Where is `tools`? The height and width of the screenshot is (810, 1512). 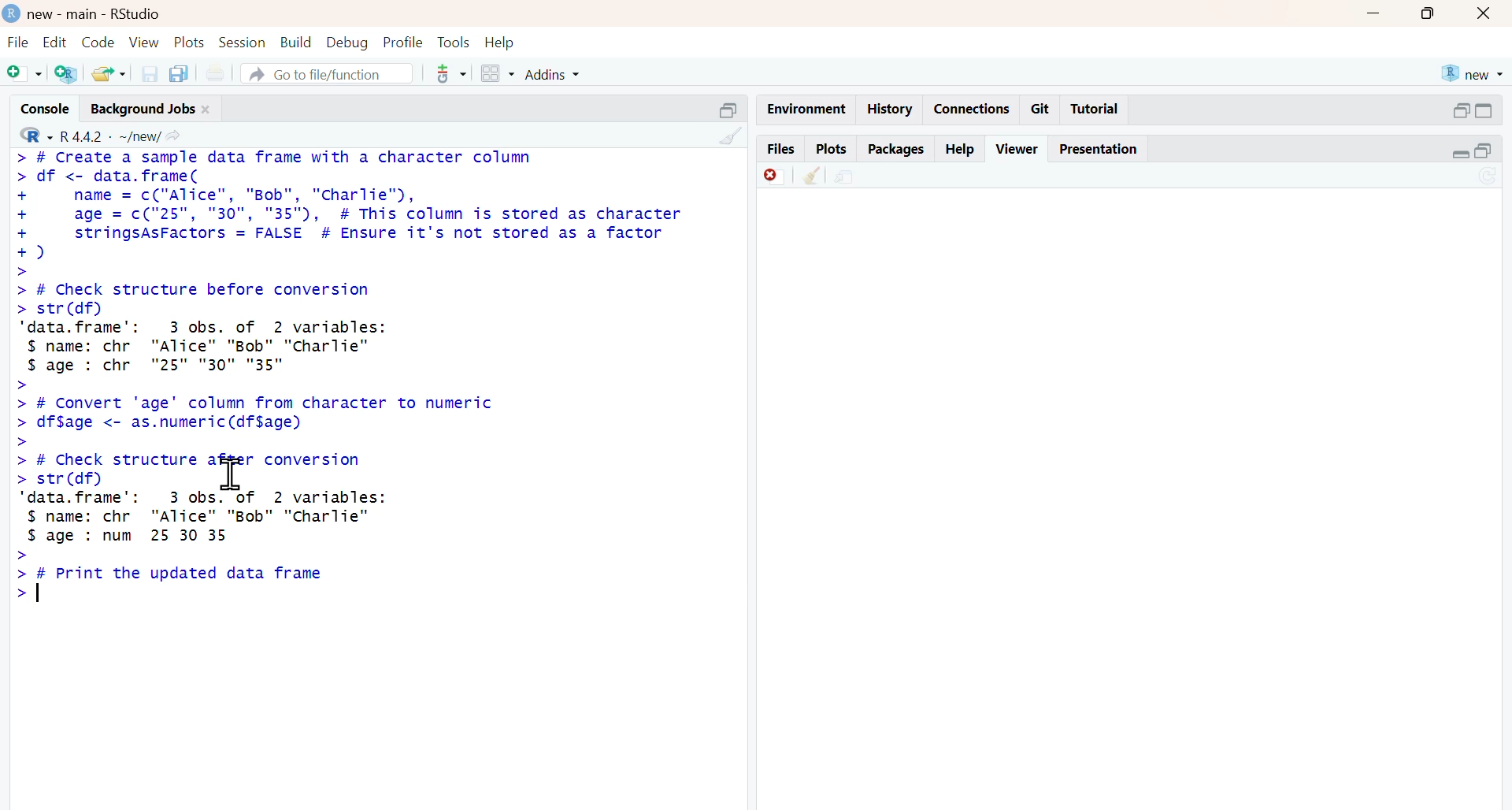 tools is located at coordinates (453, 73).